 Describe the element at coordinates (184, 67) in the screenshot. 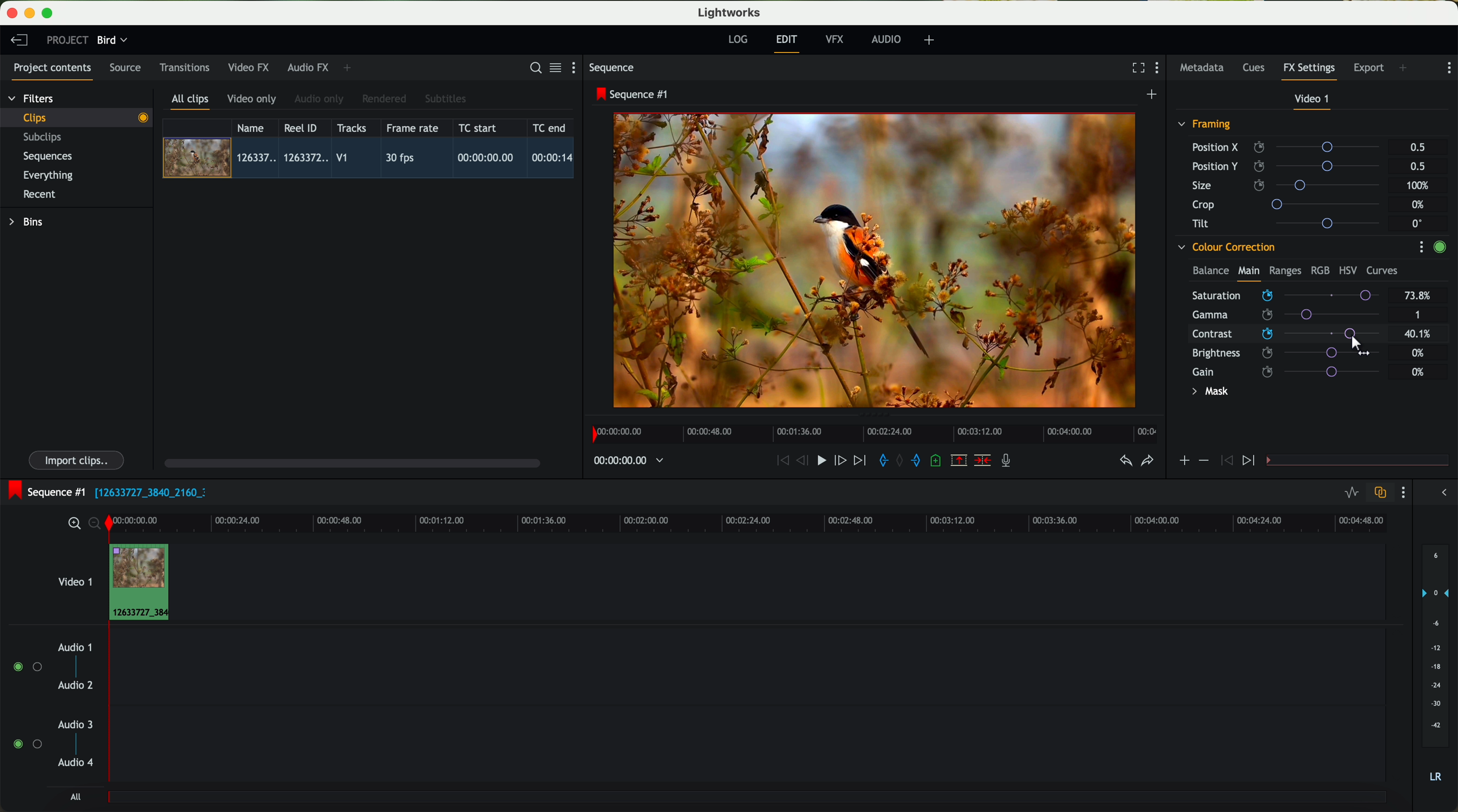

I see `transitions` at that location.